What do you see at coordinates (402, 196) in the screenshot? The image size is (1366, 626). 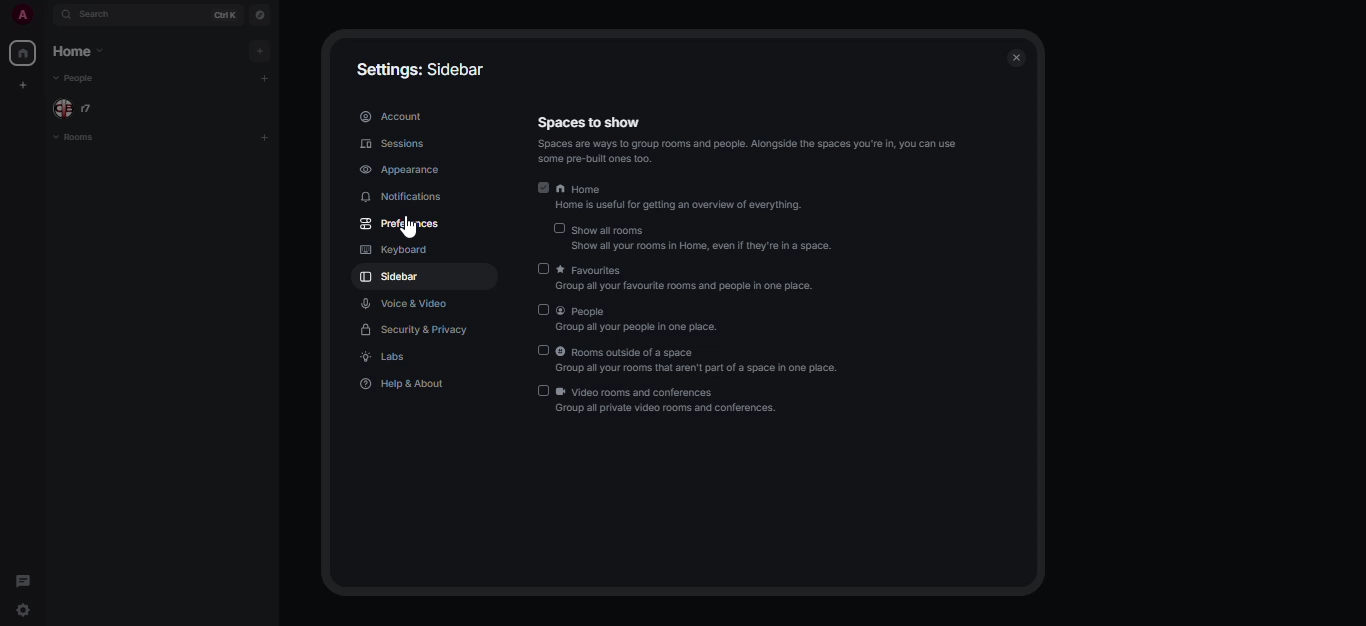 I see `notifications` at bounding box center [402, 196].